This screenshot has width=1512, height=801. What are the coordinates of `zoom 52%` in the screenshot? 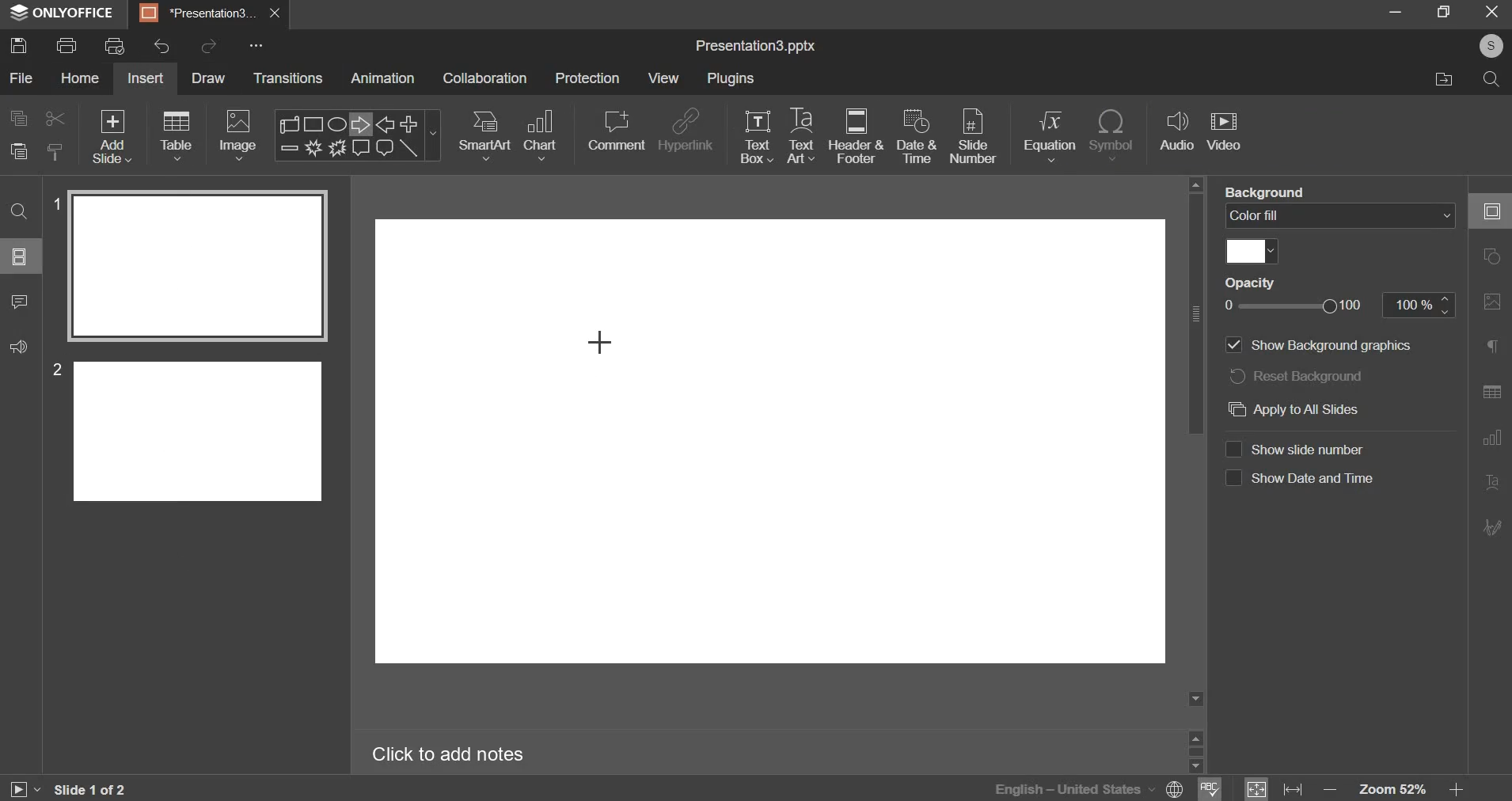 It's located at (1392, 789).